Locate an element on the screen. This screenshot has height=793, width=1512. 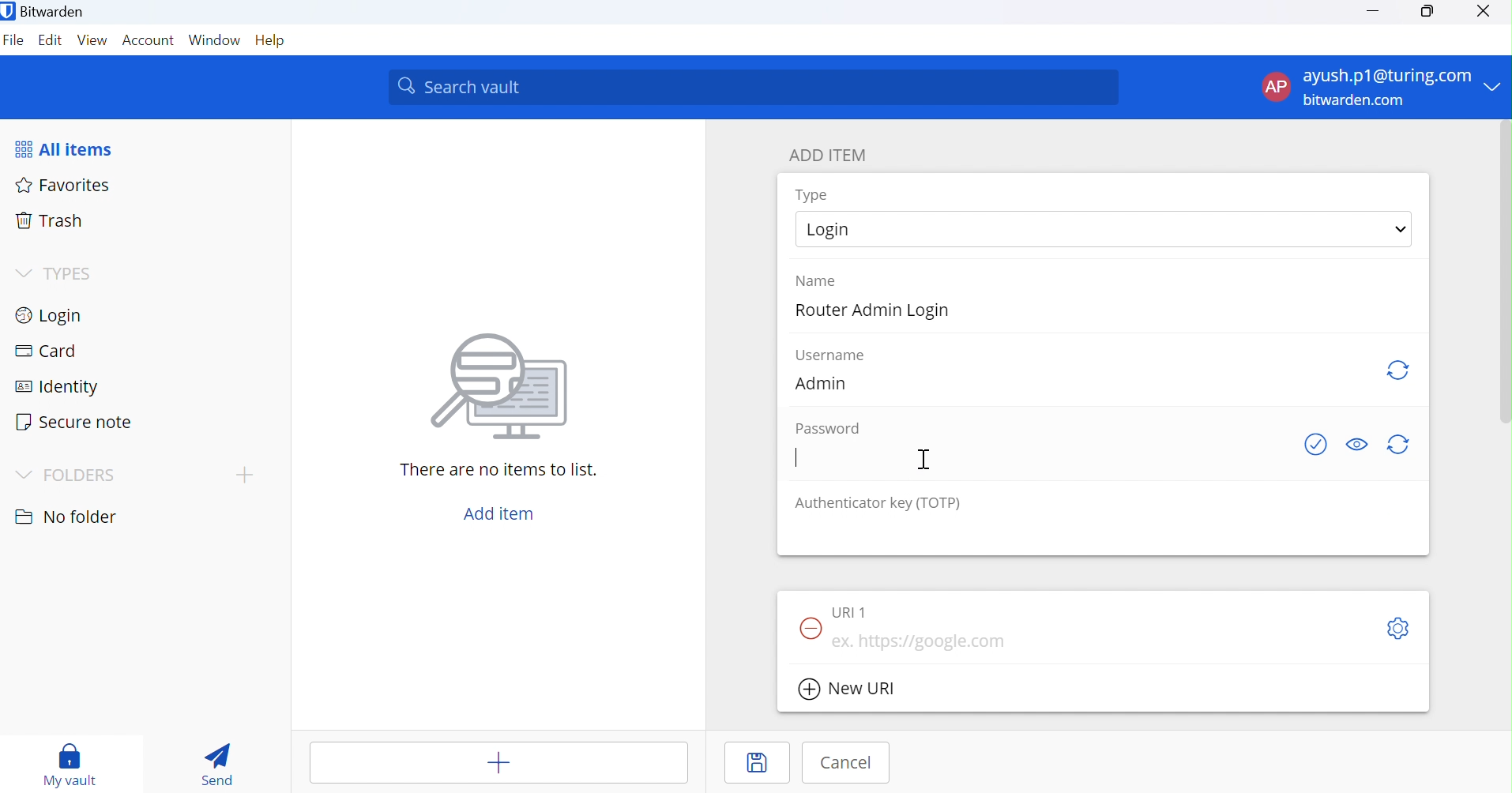
Favorites is located at coordinates (65, 184).